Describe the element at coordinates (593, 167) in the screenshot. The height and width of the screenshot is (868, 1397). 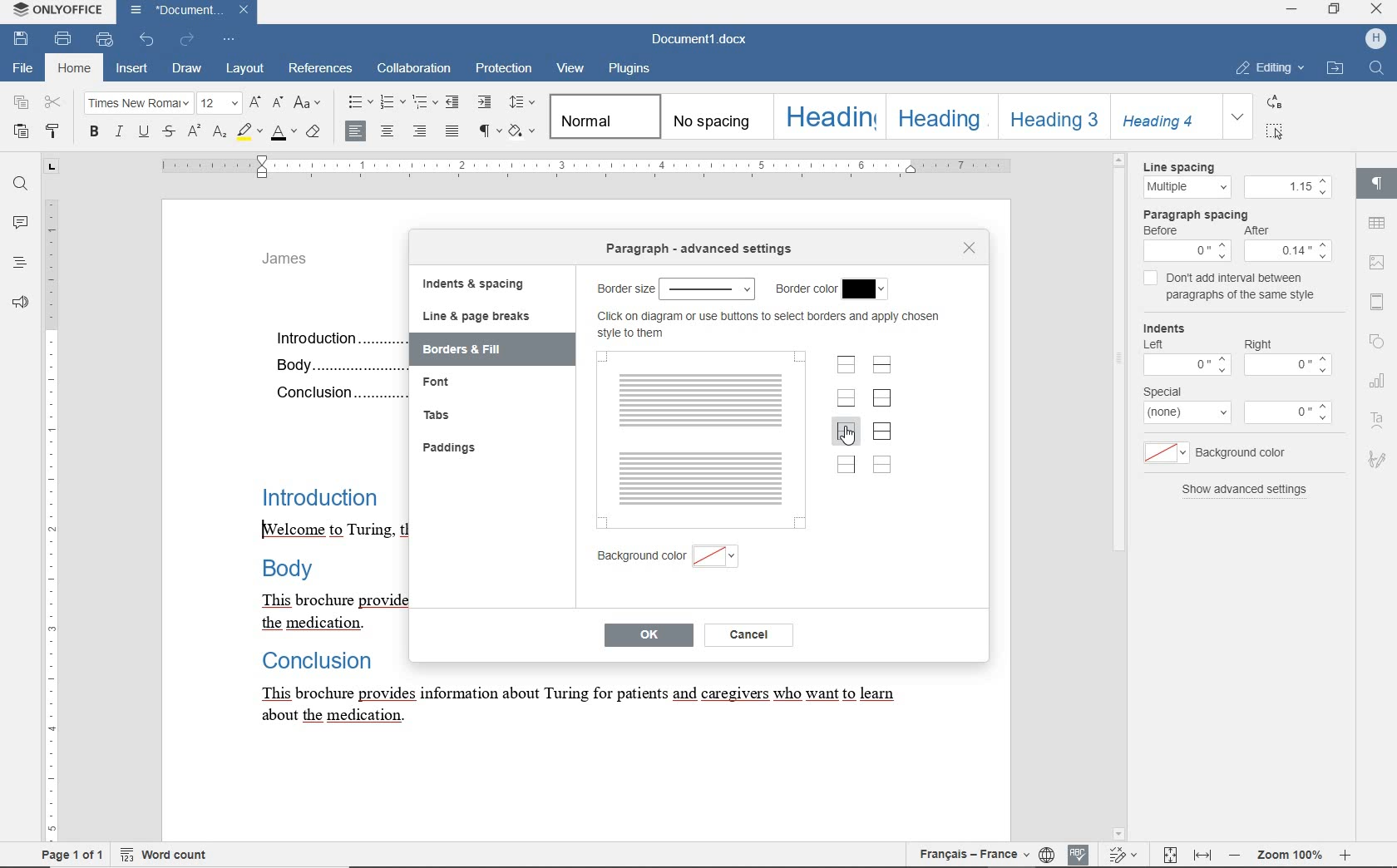
I see `ruler` at that location.